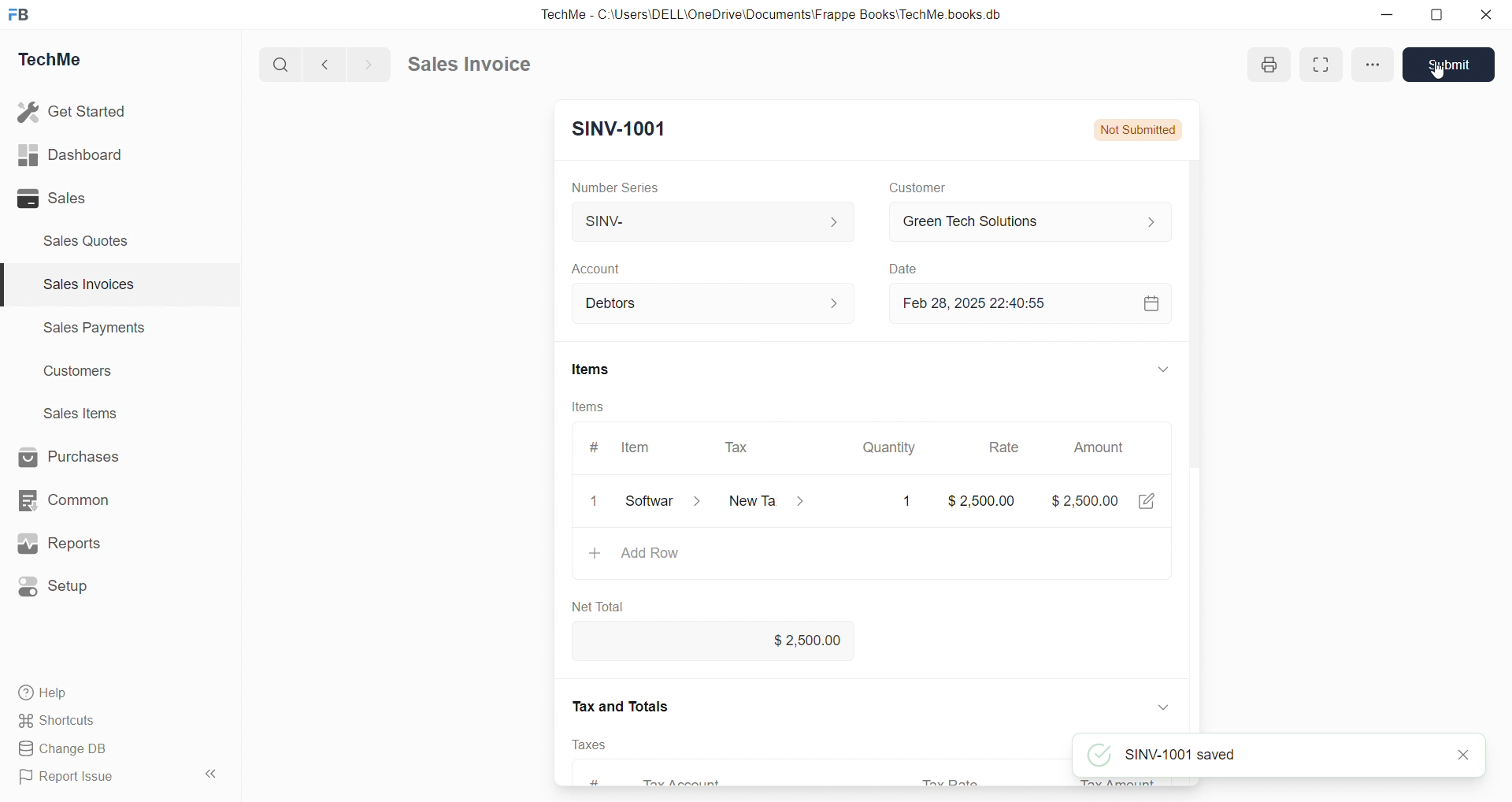 This screenshot has height=802, width=1512. Describe the element at coordinates (278, 65) in the screenshot. I see `search` at that location.